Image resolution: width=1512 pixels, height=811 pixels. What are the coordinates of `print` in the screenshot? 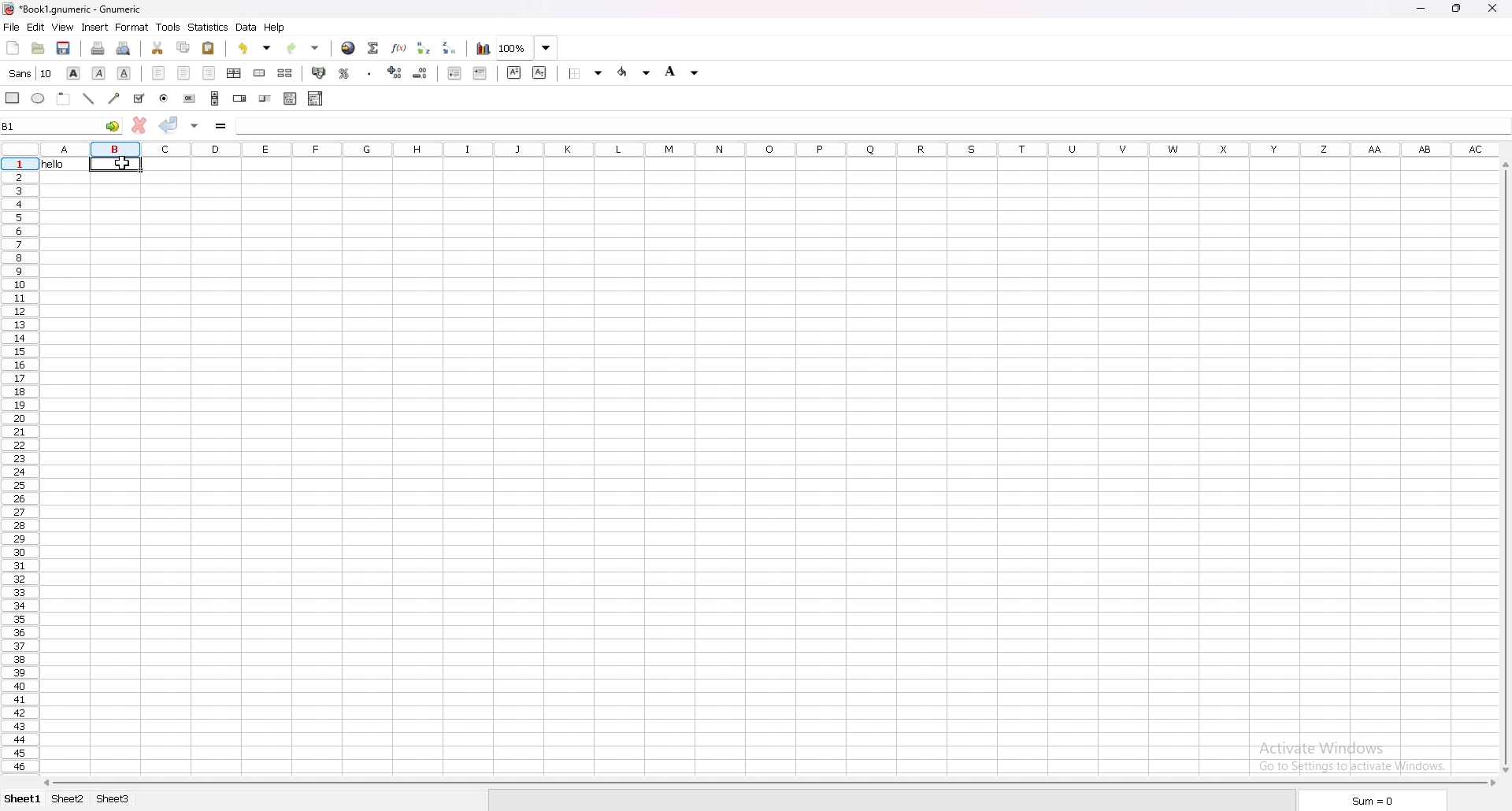 It's located at (98, 48).